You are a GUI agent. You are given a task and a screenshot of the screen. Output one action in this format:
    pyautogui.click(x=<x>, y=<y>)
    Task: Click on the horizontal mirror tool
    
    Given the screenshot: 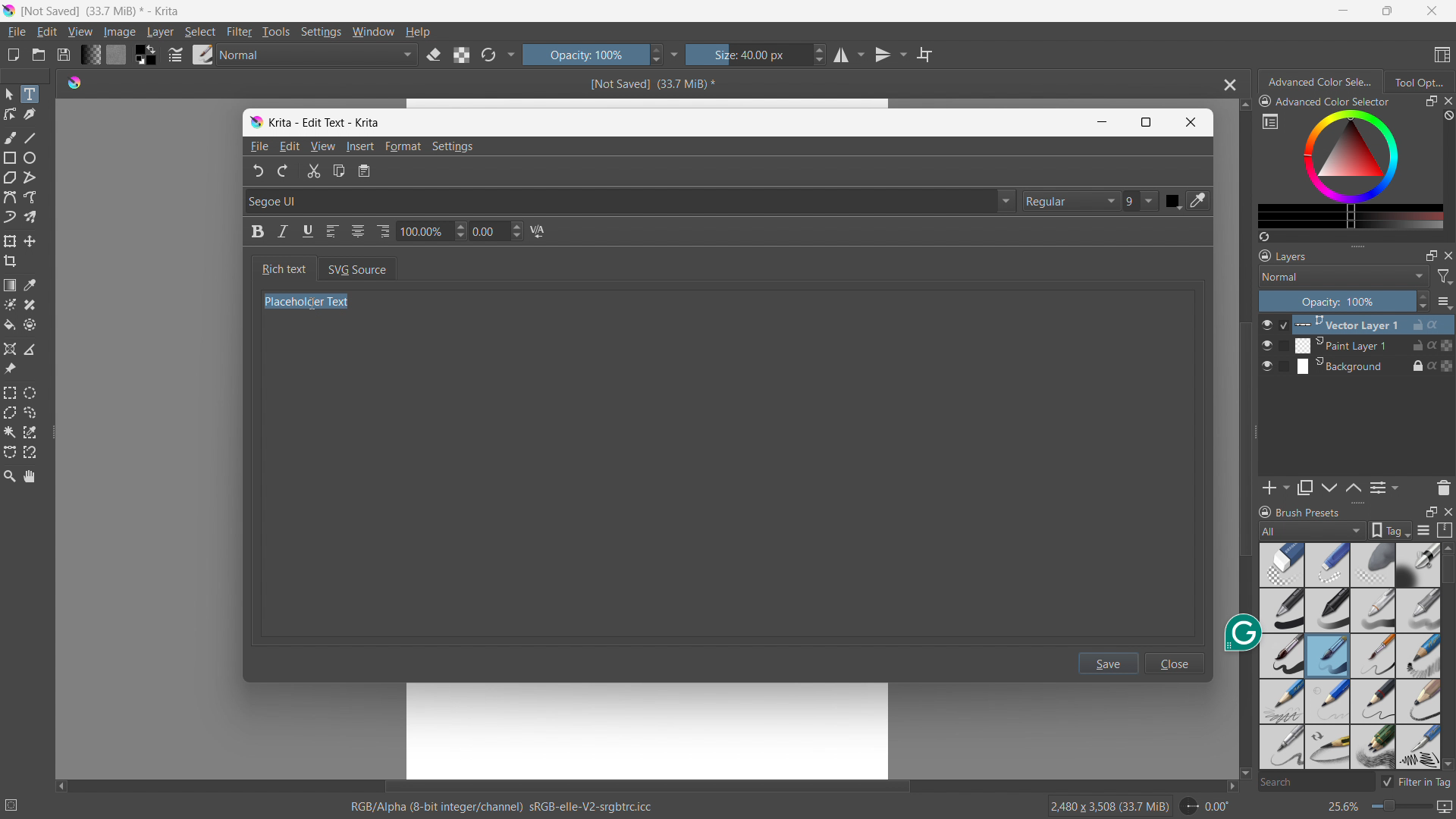 What is the action you would take?
    pyautogui.click(x=848, y=55)
    